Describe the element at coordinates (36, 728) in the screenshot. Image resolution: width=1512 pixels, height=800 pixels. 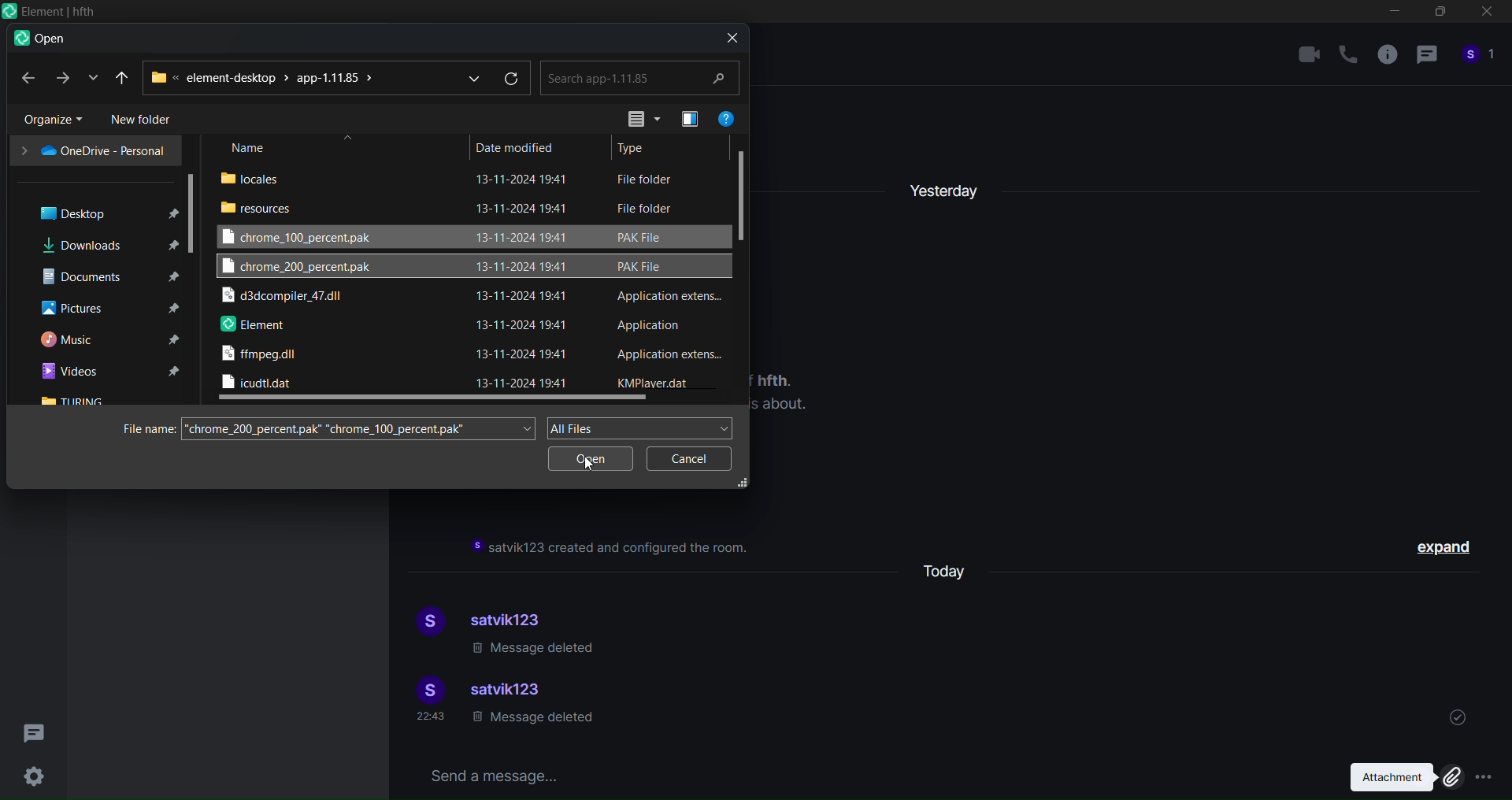
I see `threads` at that location.